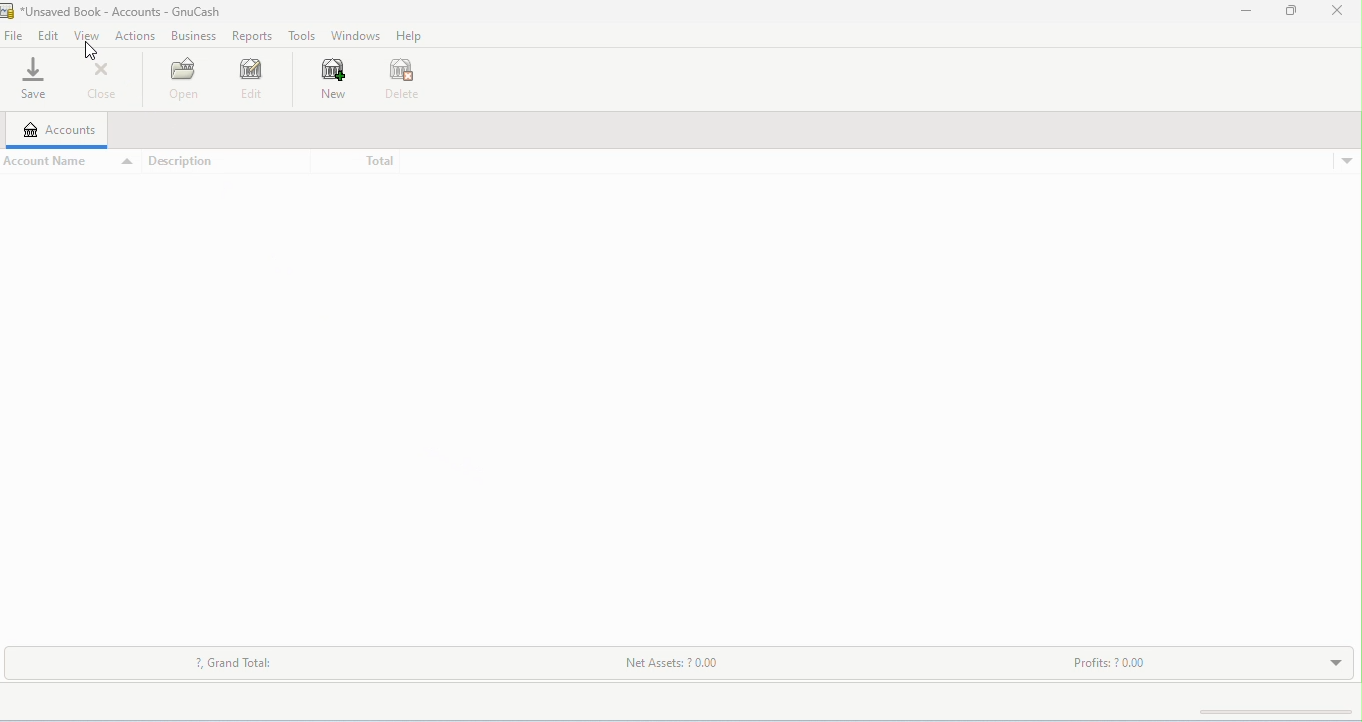 The width and height of the screenshot is (1362, 722). What do you see at coordinates (375, 161) in the screenshot?
I see `total` at bounding box center [375, 161].